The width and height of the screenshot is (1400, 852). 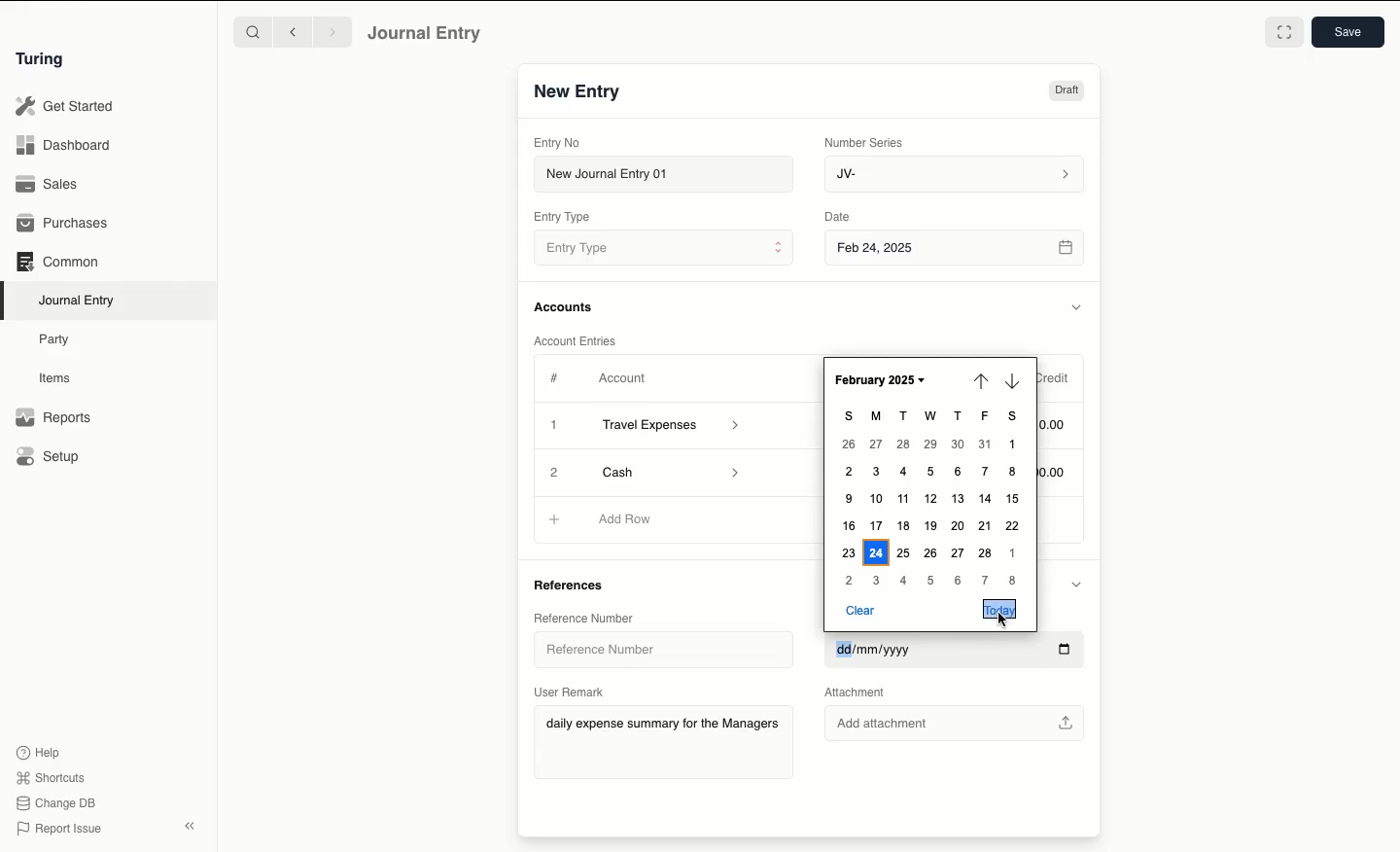 What do you see at coordinates (956, 720) in the screenshot?
I see `Add attachment` at bounding box center [956, 720].